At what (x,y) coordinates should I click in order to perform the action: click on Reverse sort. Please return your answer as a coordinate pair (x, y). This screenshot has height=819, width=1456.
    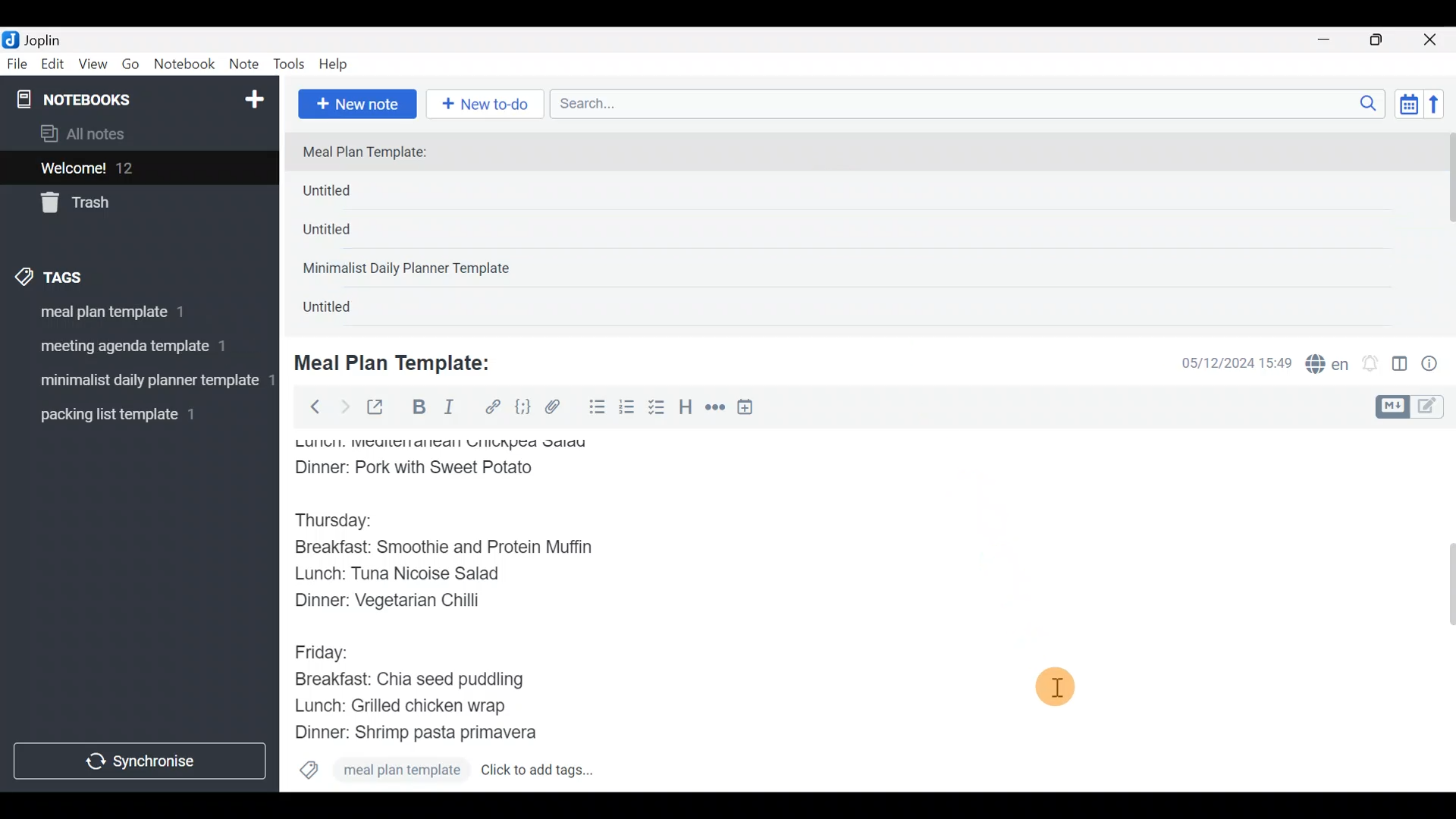
    Looking at the image, I should click on (1442, 108).